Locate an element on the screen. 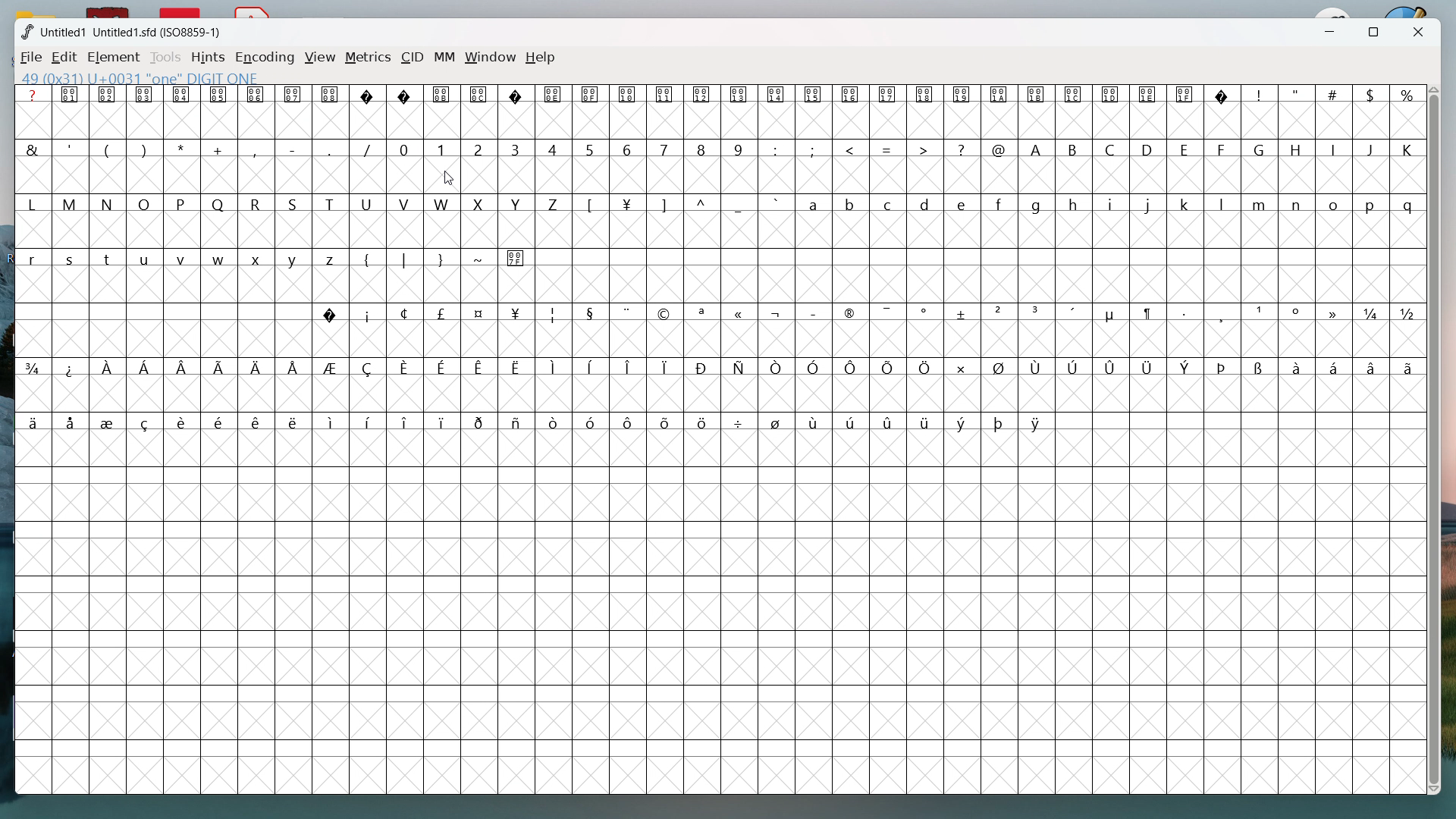 The image size is (1456, 819). symbol is located at coordinates (629, 203).